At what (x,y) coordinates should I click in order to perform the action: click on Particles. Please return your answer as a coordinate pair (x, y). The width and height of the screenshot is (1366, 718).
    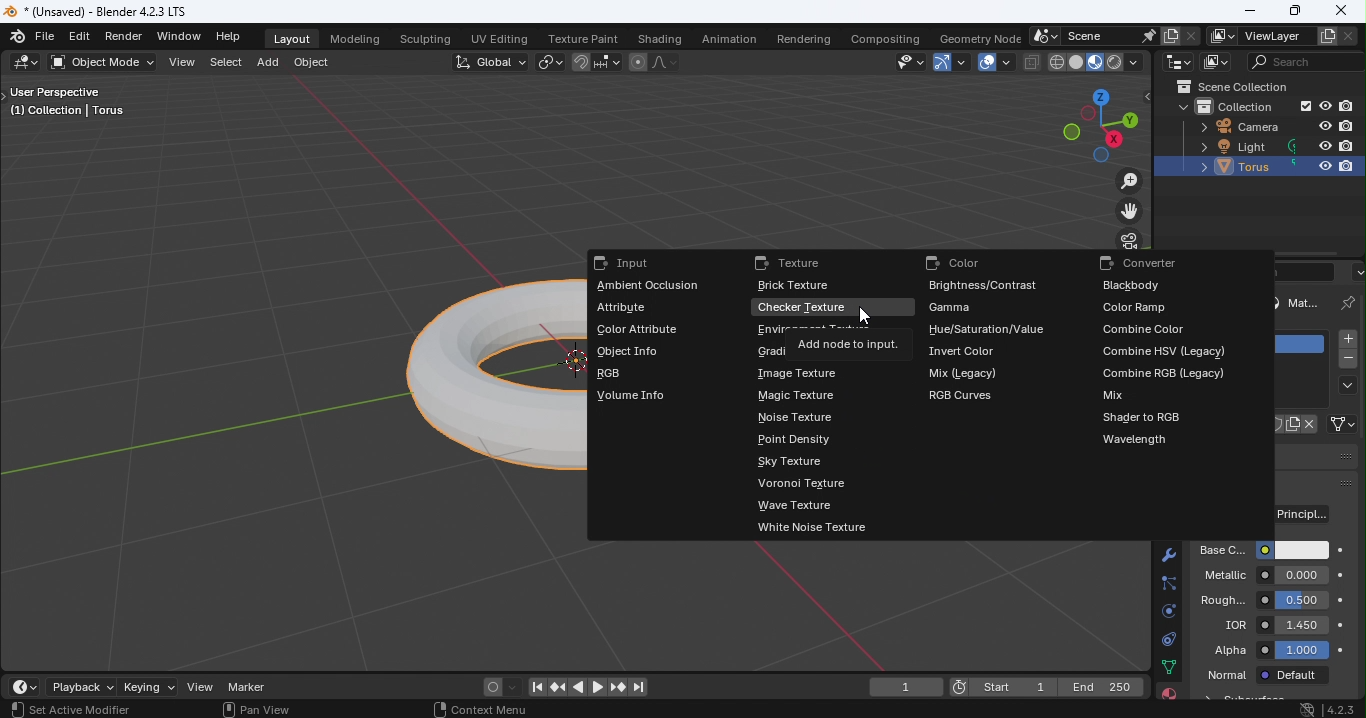
    Looking at the image, I should click on (1171, 584).